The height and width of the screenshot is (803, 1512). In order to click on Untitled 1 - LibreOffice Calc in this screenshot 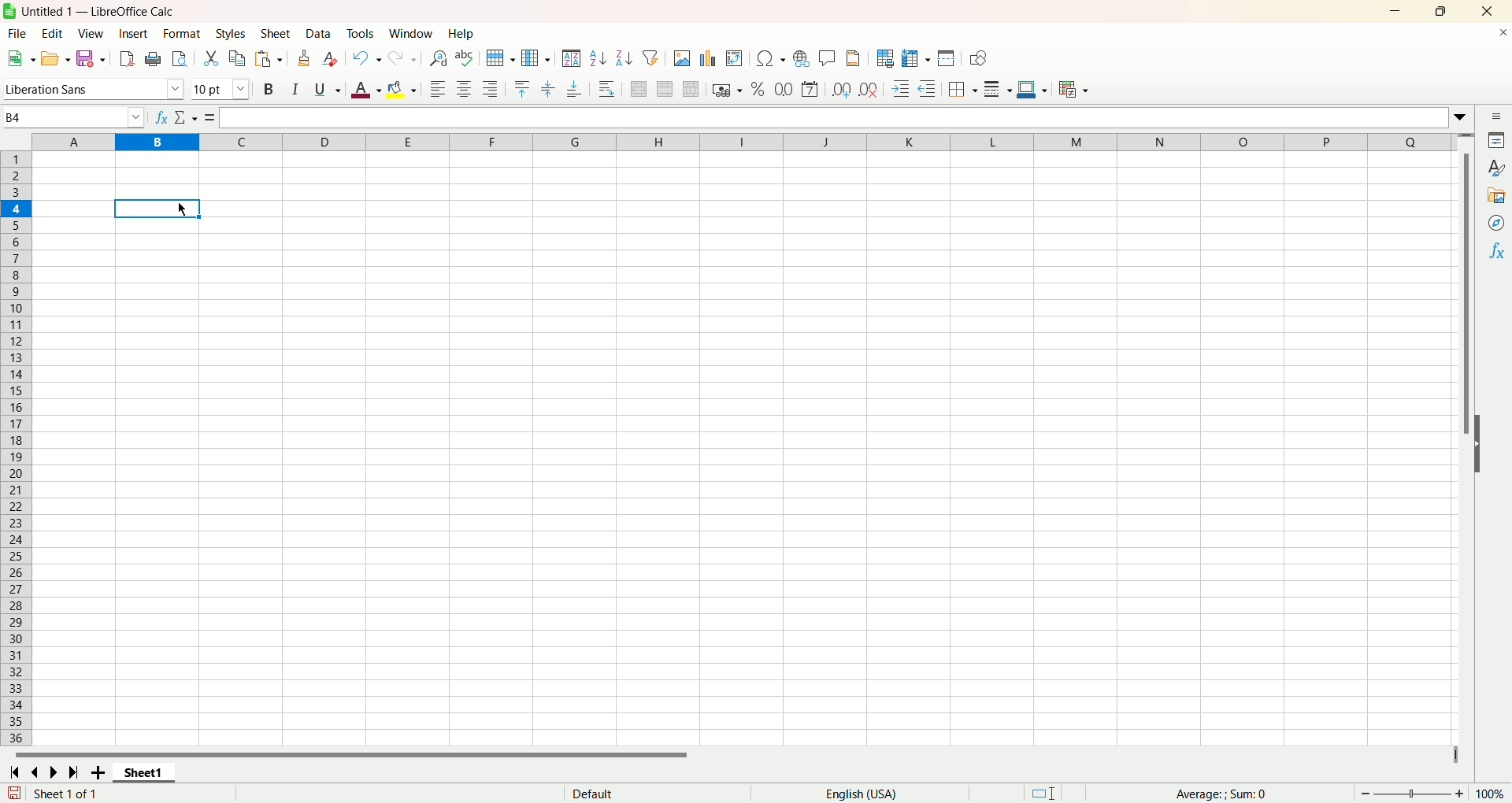, I will do `click(107, 9)`.